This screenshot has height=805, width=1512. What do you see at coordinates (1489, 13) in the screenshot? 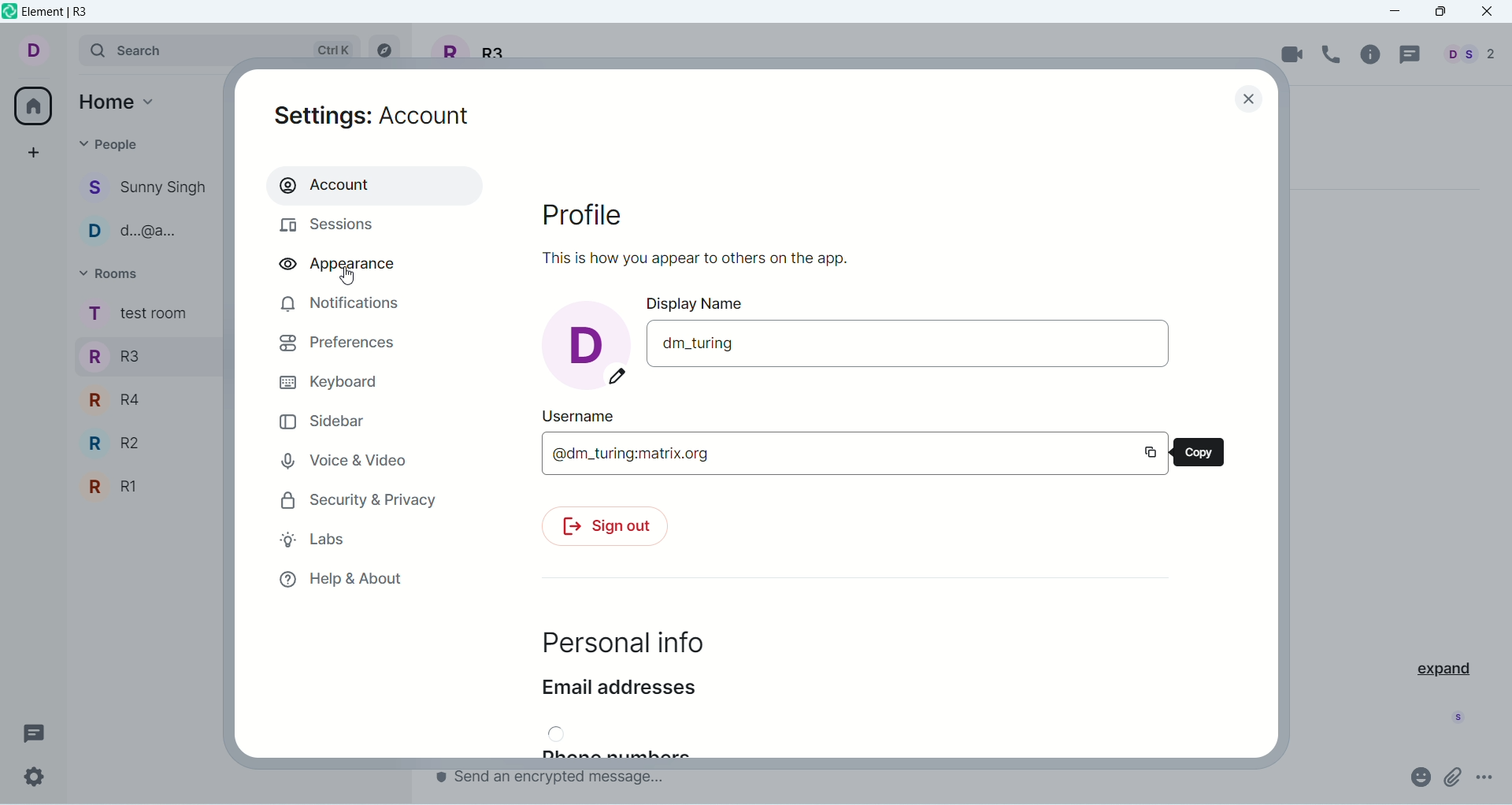
I see `close` at bounding box center [1489, 13].